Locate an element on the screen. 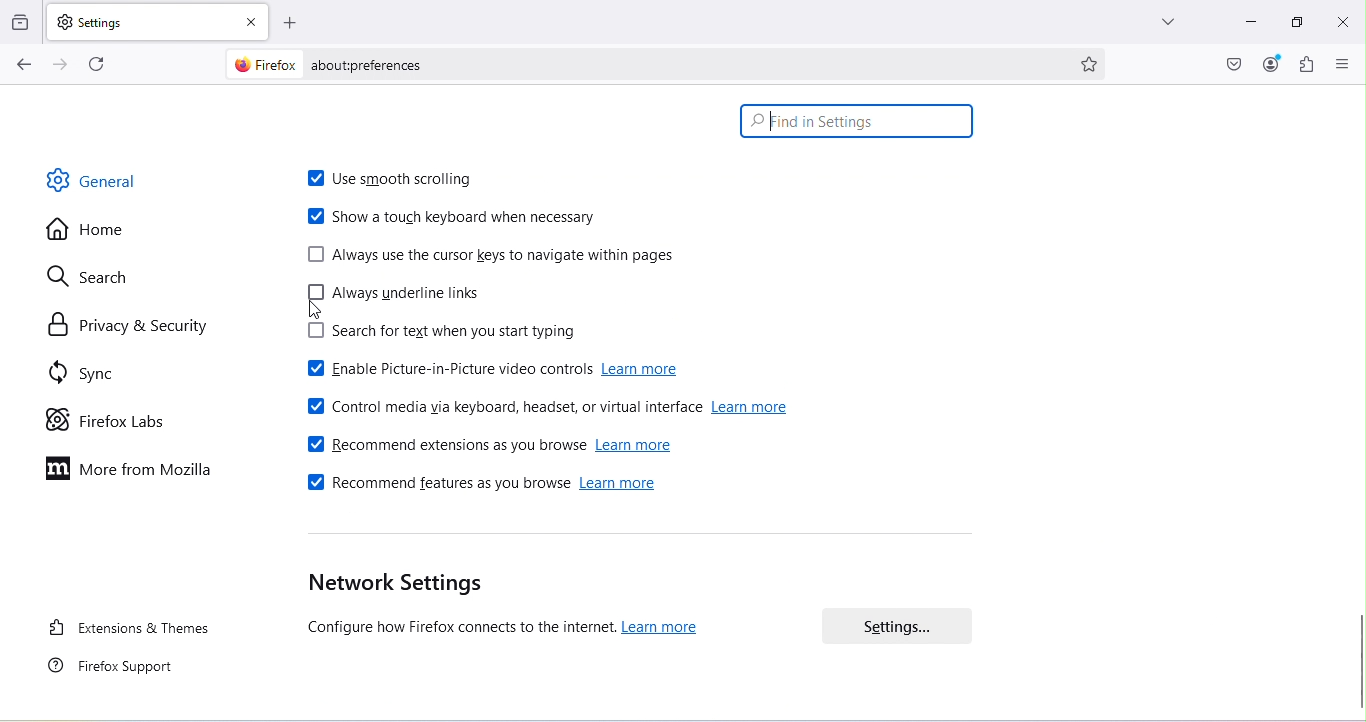 The height and width of the screenshot is (722, 1366). More on mozilla is located at coordinates (121, 470).